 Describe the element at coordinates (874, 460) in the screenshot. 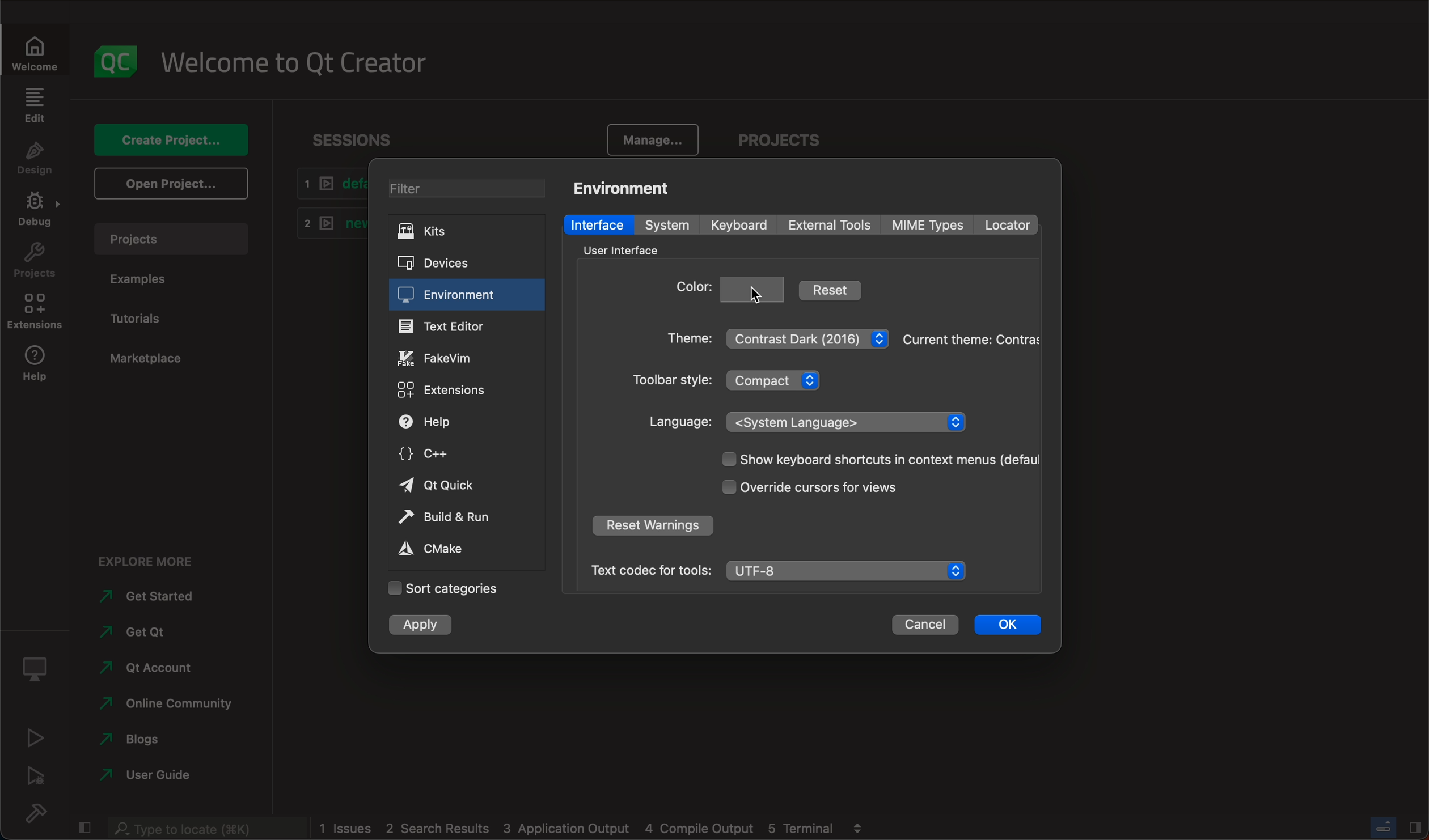

I see `show keyboard` at that location.